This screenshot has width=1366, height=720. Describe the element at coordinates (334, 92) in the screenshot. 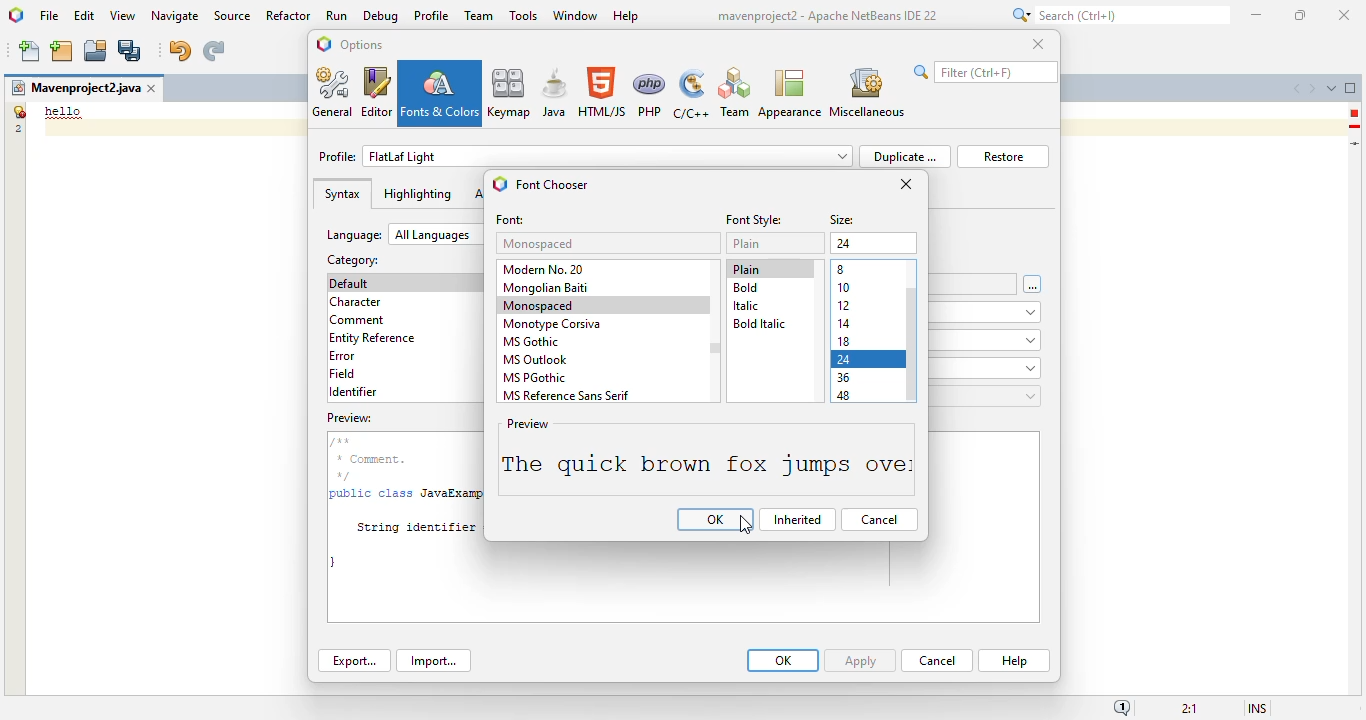

I see `general` at that location.